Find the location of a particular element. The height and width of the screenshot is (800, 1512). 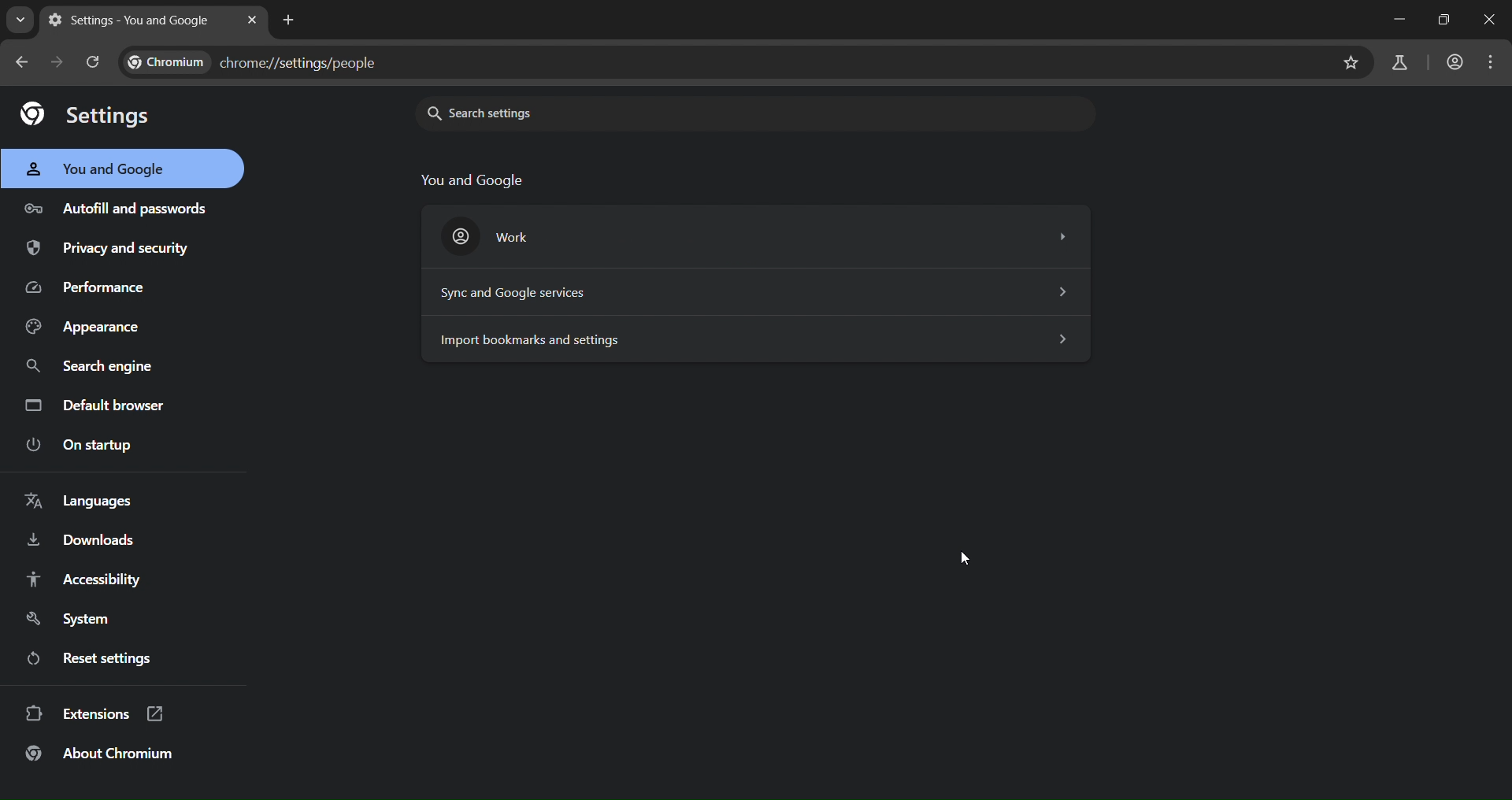

search panel is located at coordinates (274, 63).